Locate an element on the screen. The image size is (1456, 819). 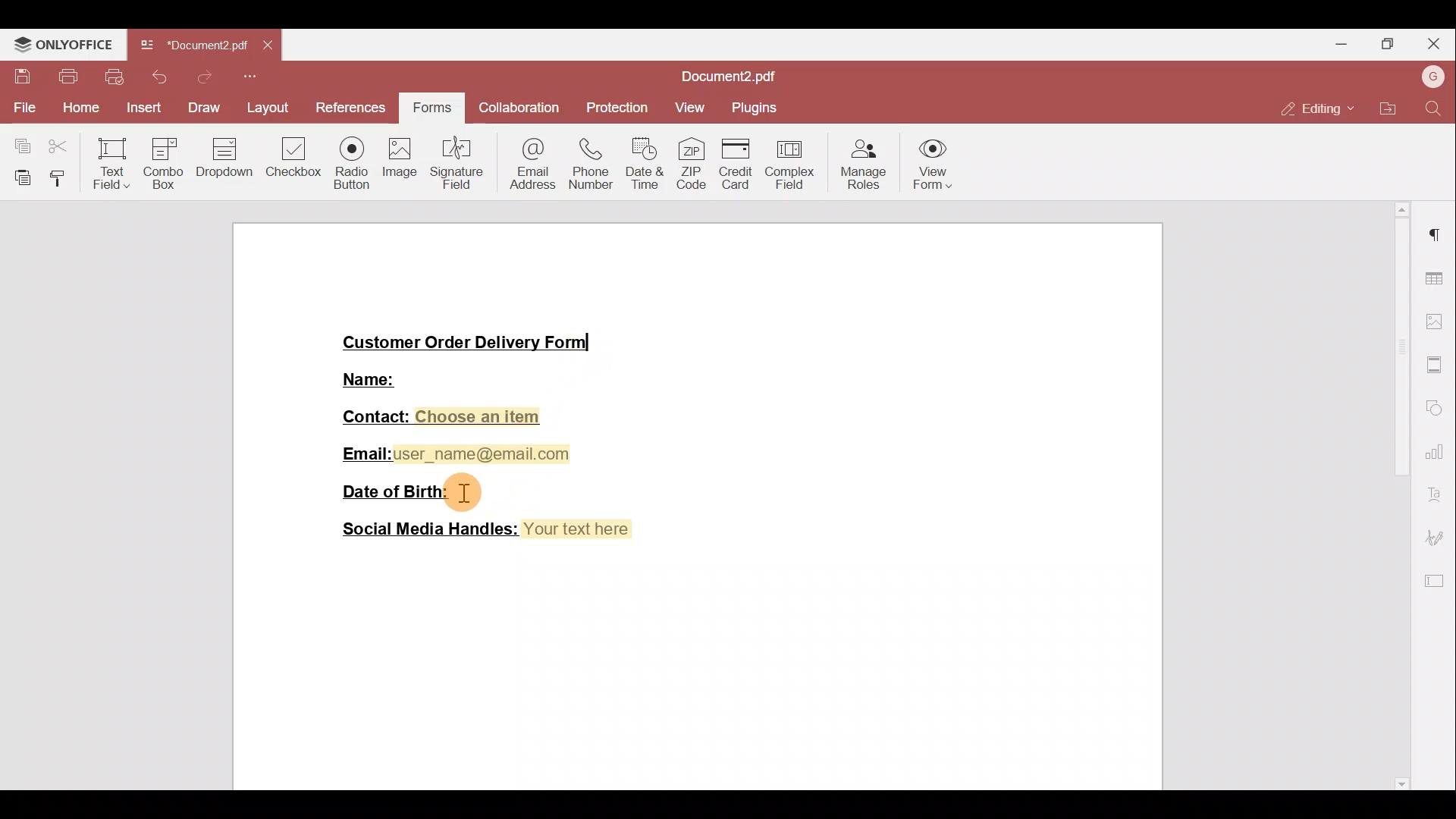
Plugins is located at coordinates (761, 107).